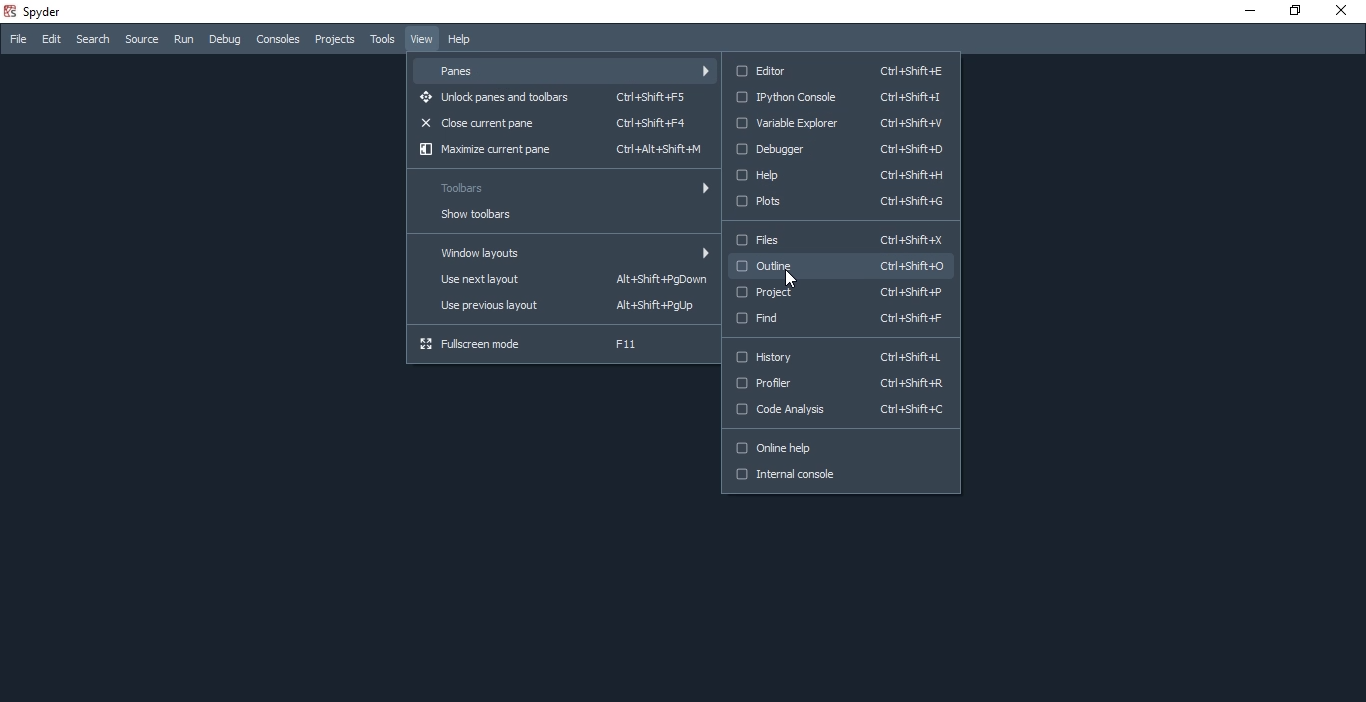 The width and height of the screenshot is (1366, 702). I want to click on Code Analysis, so click(837, 413).